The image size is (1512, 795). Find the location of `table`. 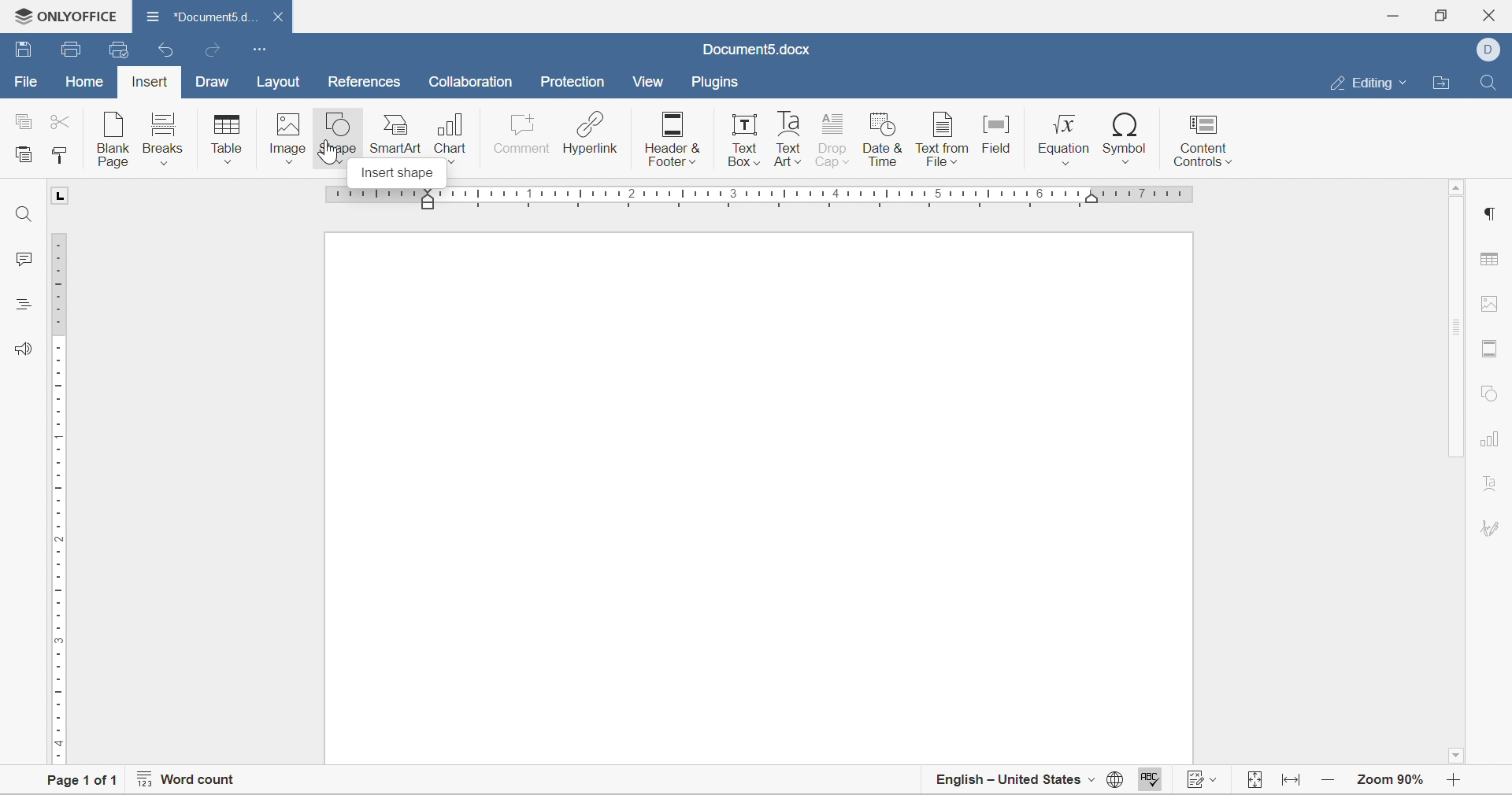

table is located at coordinates (226, 139).